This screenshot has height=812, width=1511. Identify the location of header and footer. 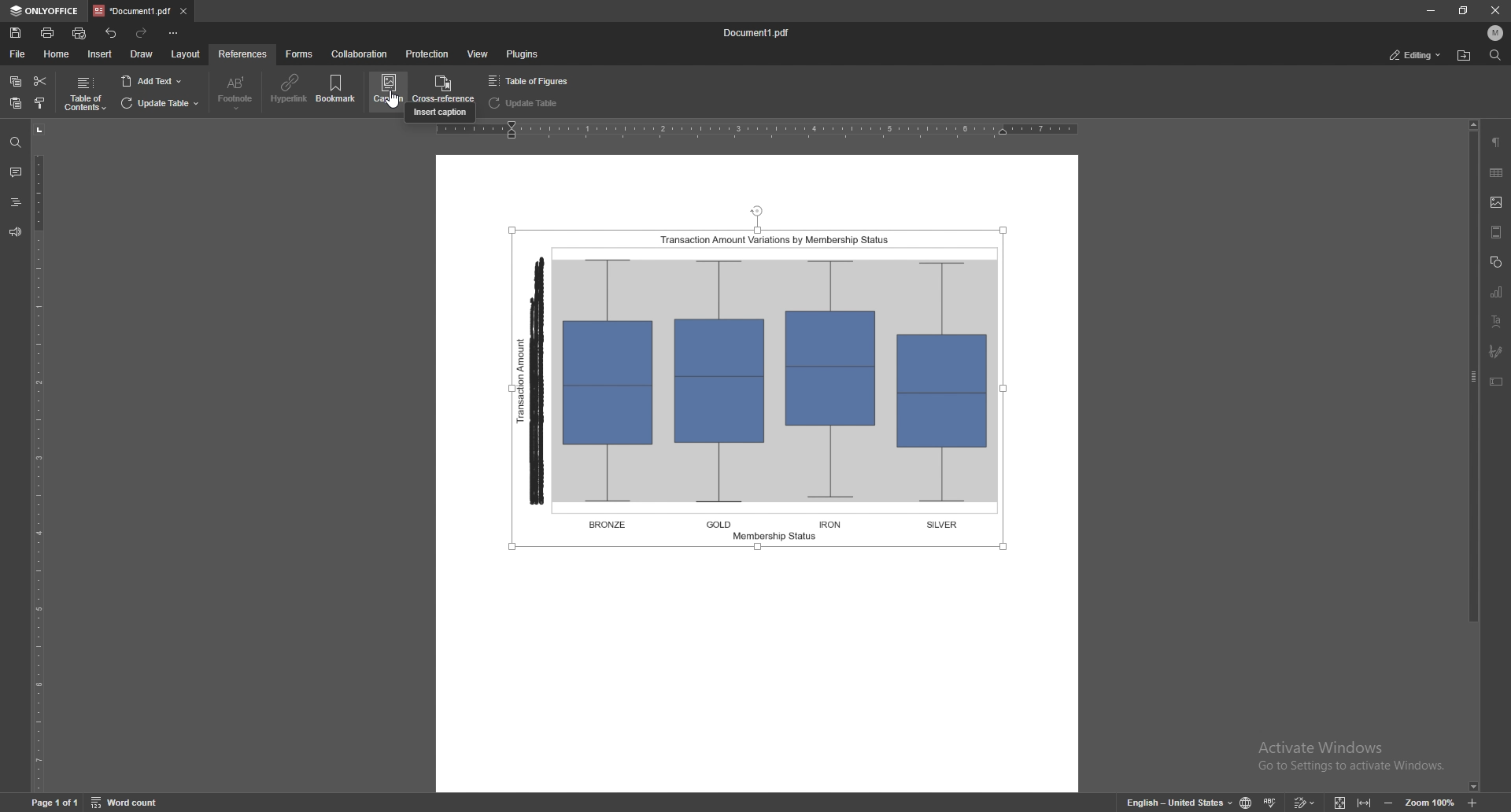
(1497, 231).